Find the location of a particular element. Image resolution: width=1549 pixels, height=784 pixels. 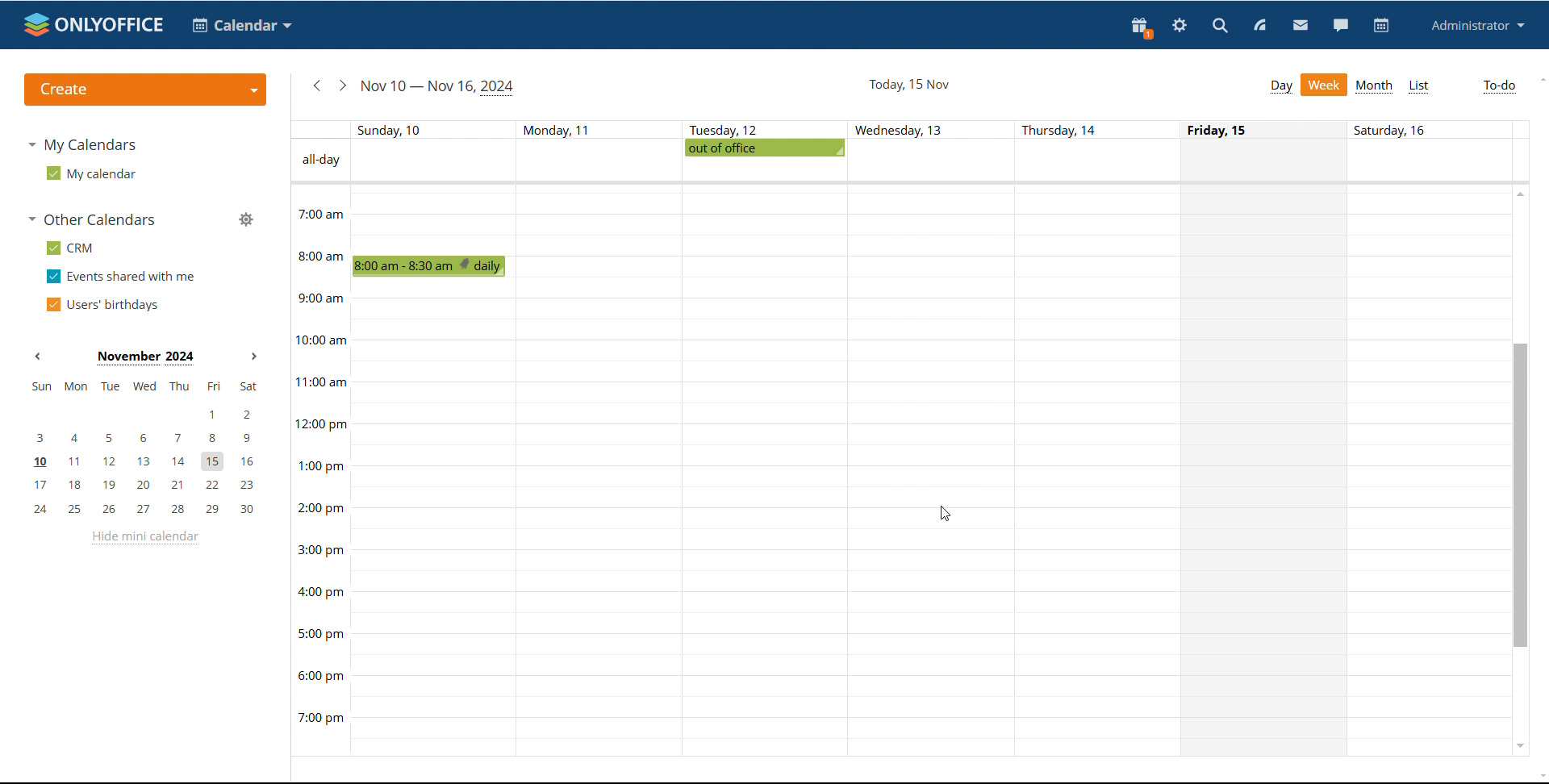

present is located at coordinates (1142, 28).